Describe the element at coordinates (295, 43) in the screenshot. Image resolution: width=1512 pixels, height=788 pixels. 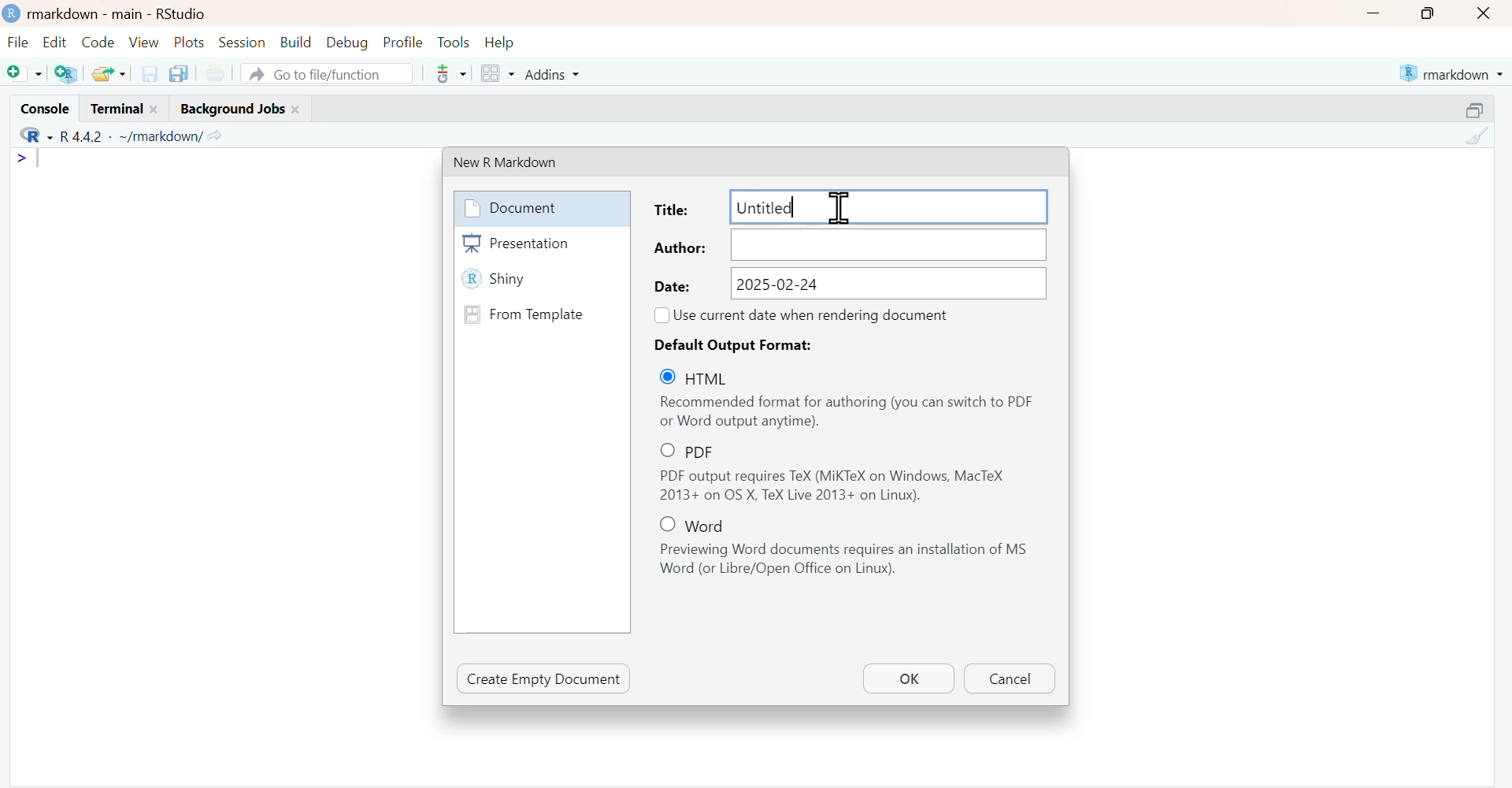
I see `Build` at that location.